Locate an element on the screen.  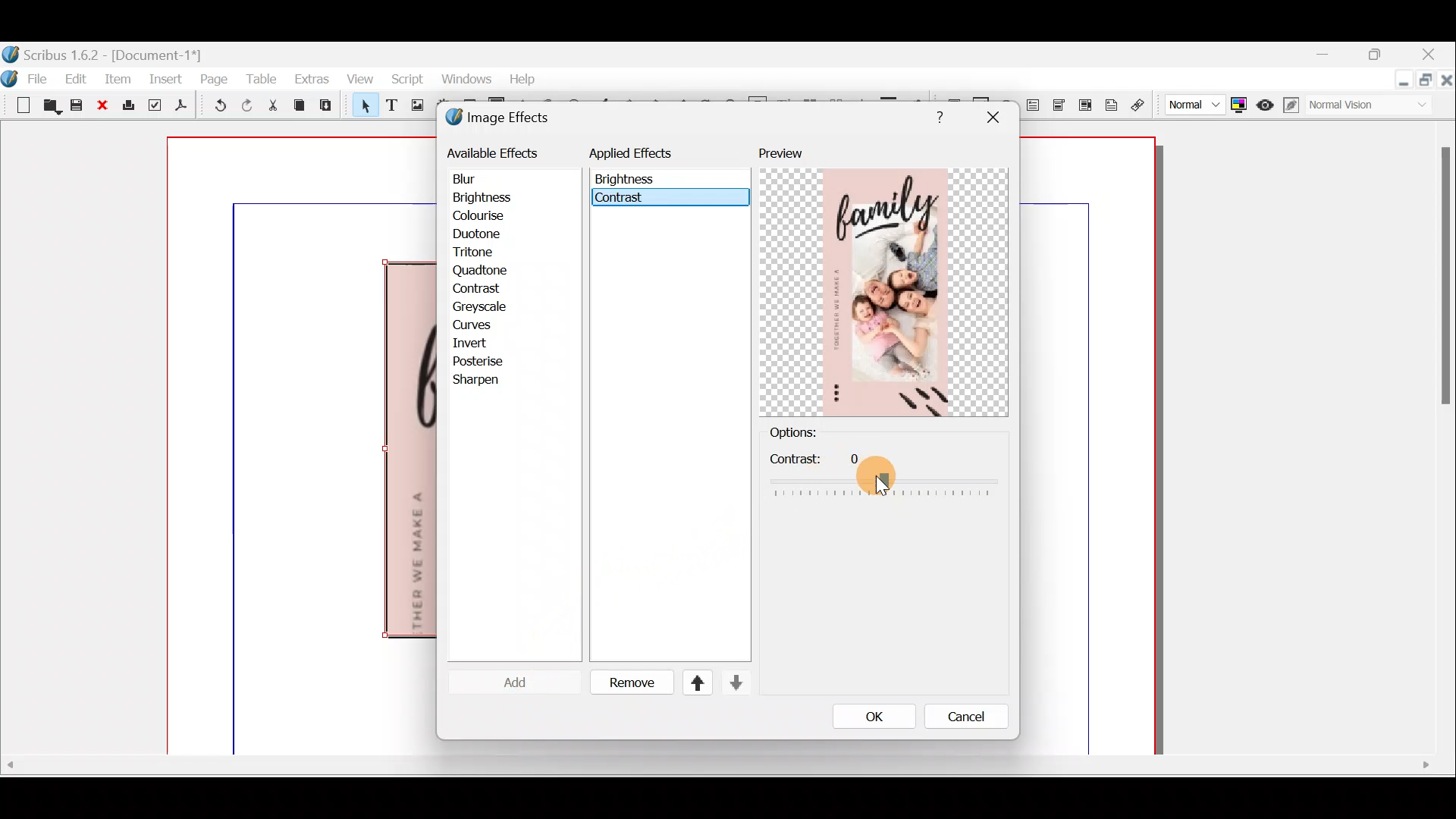
Edit in preview mode is located at coordinates (1294, 105).